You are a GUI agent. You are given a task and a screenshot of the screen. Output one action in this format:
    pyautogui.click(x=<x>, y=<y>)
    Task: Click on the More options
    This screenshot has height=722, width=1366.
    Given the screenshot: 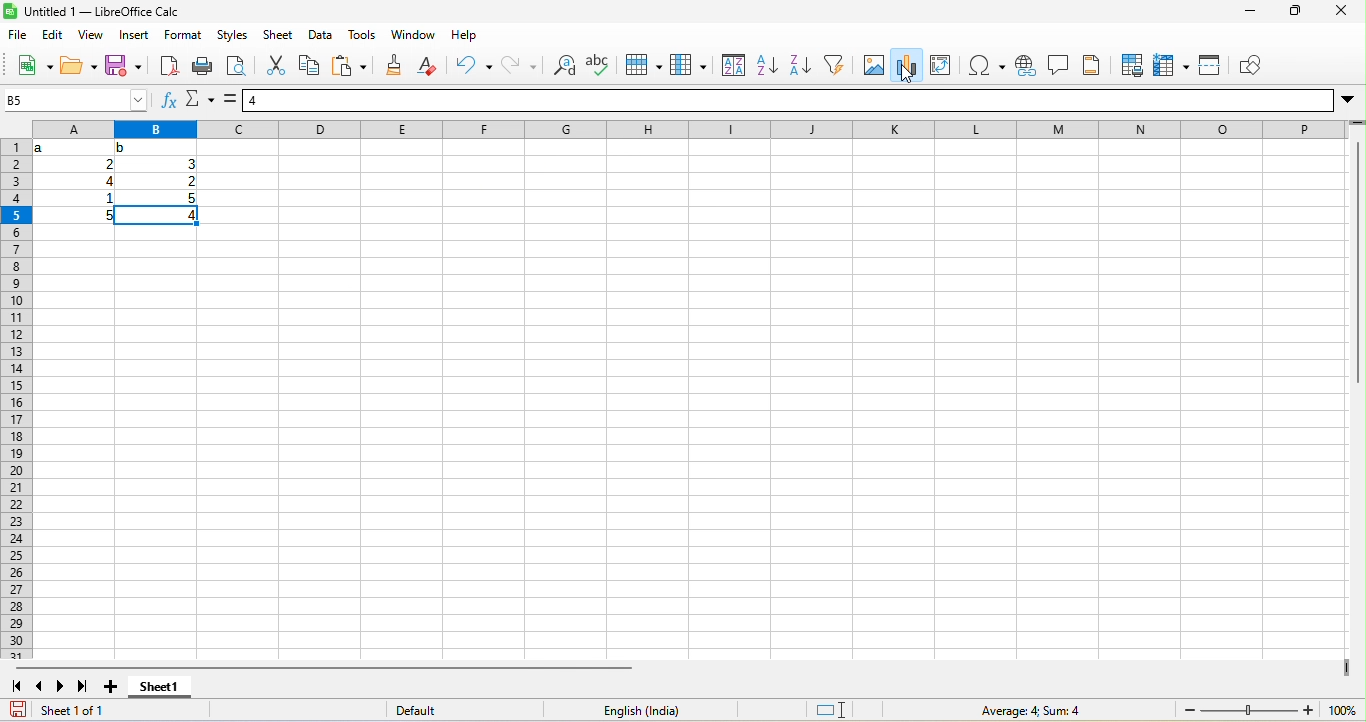 What is the action you would take?
    pyautogui.click(x=1348, y=101)
    